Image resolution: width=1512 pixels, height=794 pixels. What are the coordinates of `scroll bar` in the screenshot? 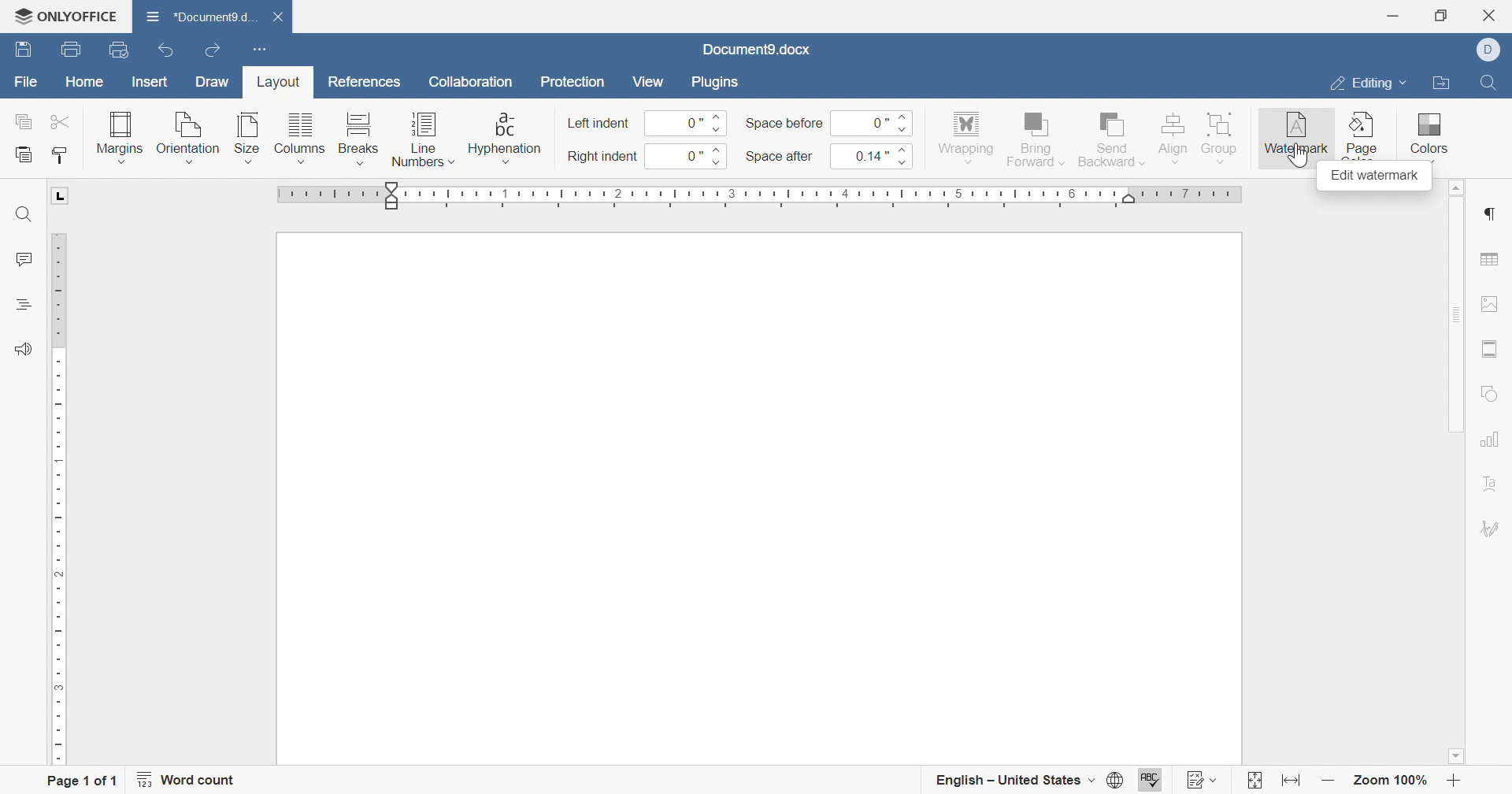 It's located at (1454, 314).